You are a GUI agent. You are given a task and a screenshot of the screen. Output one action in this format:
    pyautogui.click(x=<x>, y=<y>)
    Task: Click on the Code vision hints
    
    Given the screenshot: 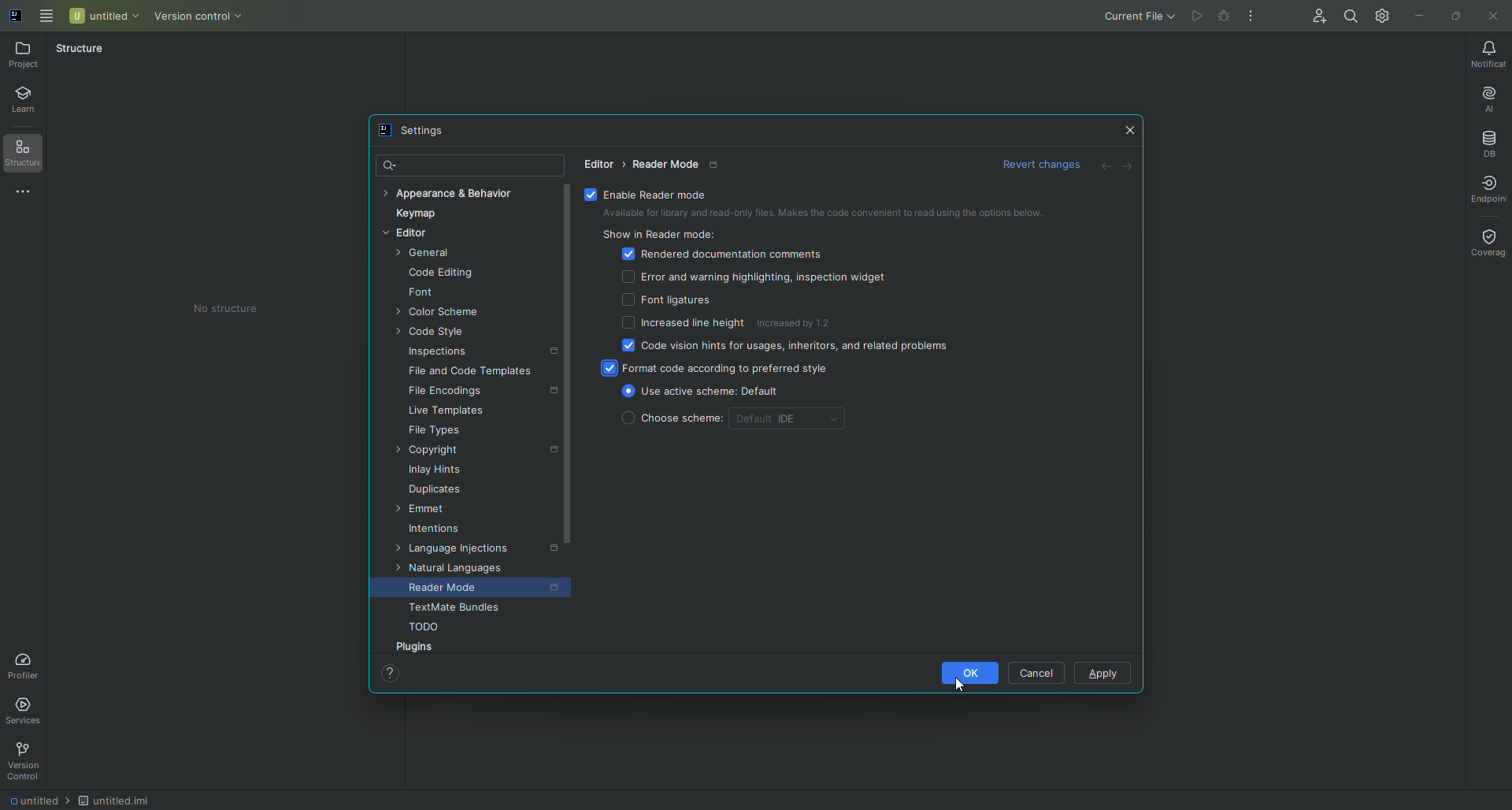 What is the action you would take?
    pyautogui.click(x=780, y=349)
    